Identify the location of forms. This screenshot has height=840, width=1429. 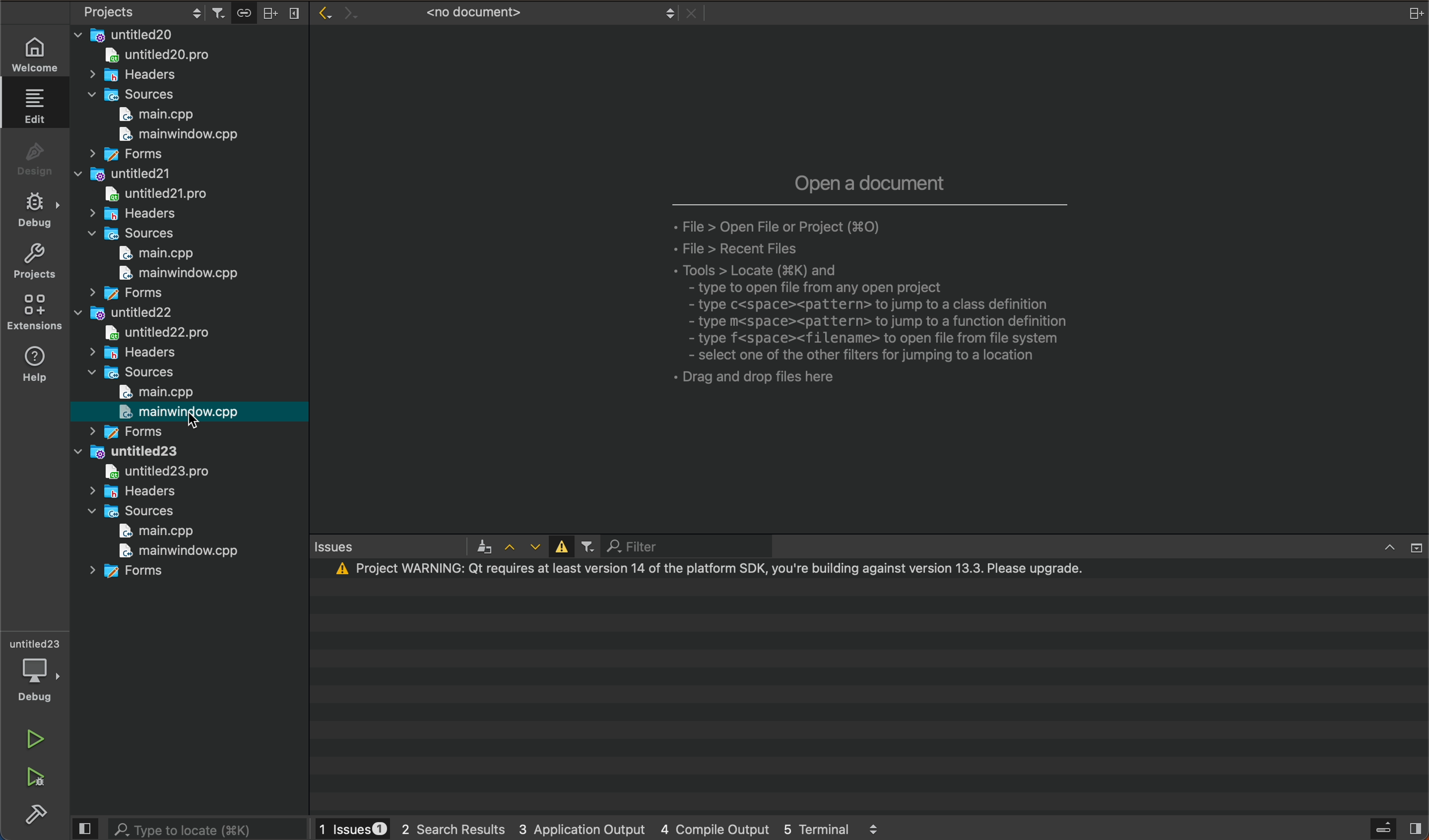
(124, 154).